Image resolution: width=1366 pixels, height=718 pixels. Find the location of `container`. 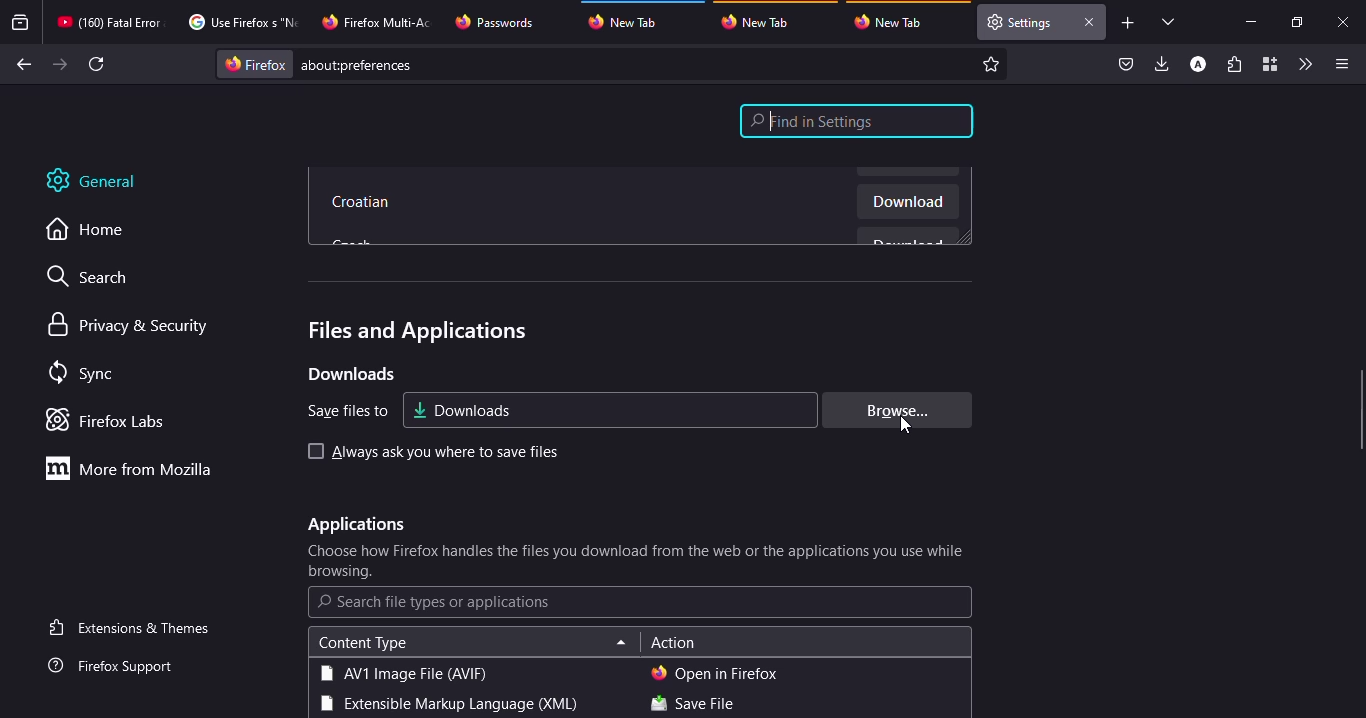

container is located at coordinates (1268, 65).